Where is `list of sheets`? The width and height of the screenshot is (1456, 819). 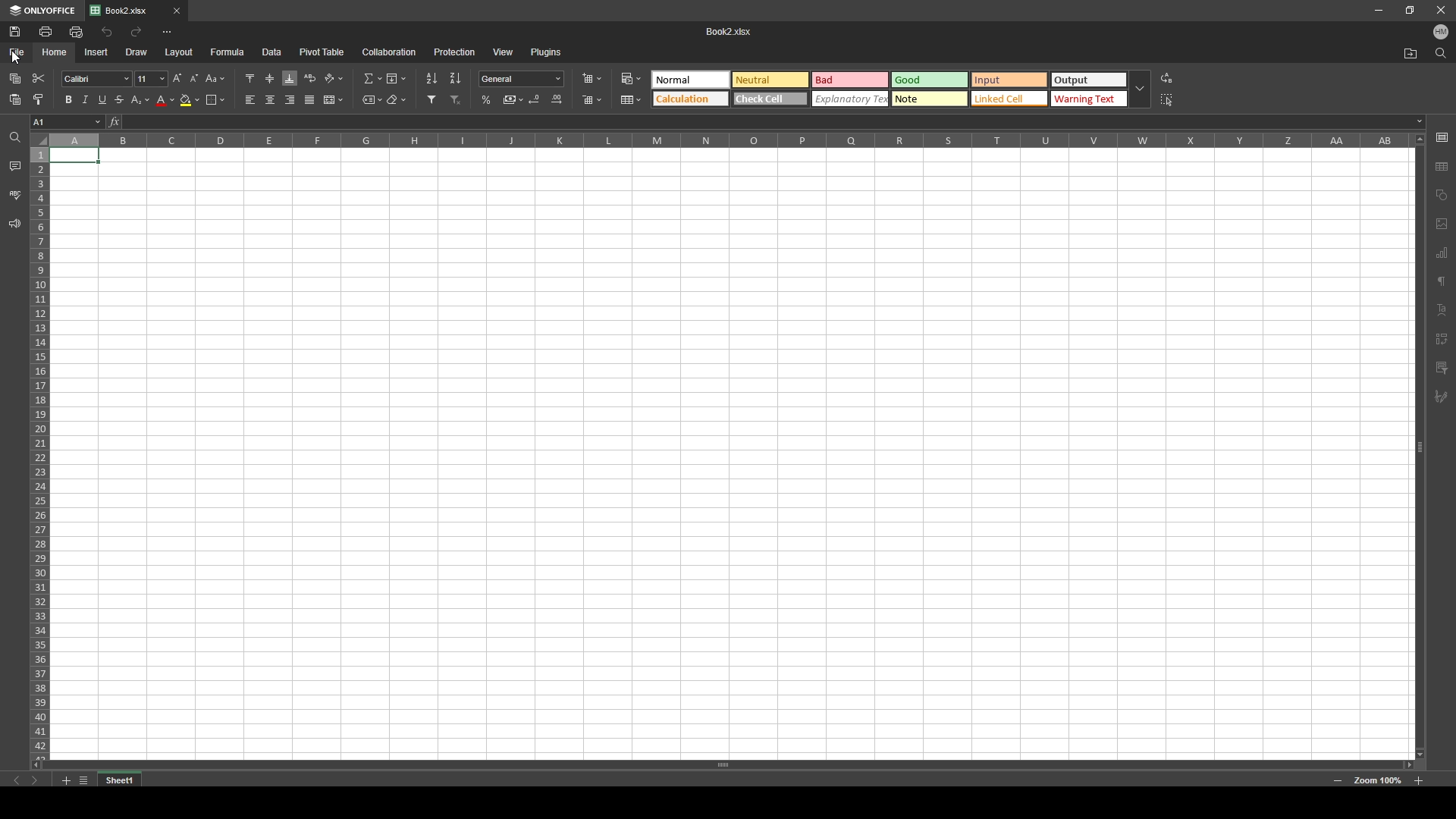 list of sheets is located at coordinates (83, 779).